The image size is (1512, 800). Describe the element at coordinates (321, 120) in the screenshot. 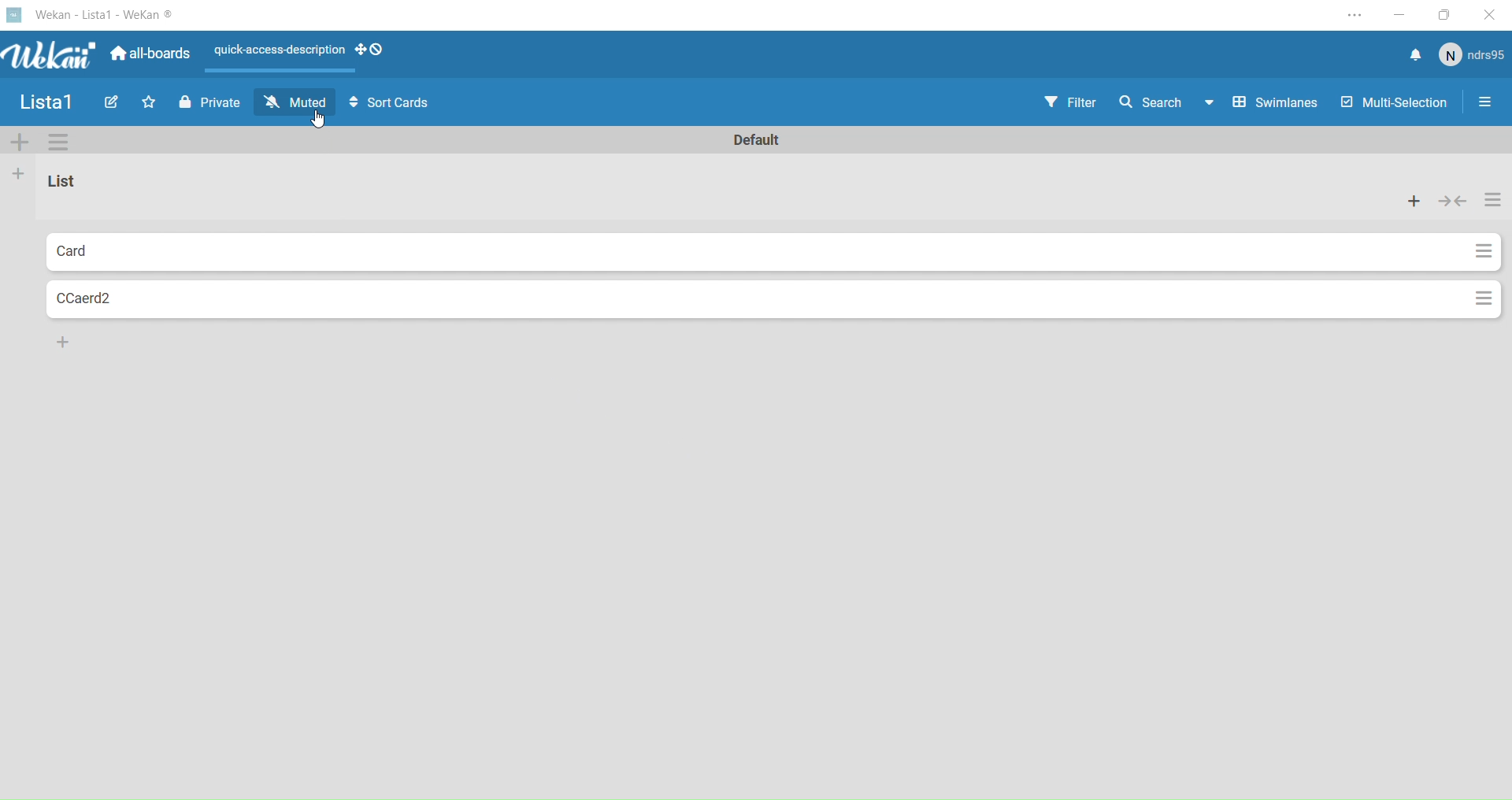

I see `cursor` at that location.